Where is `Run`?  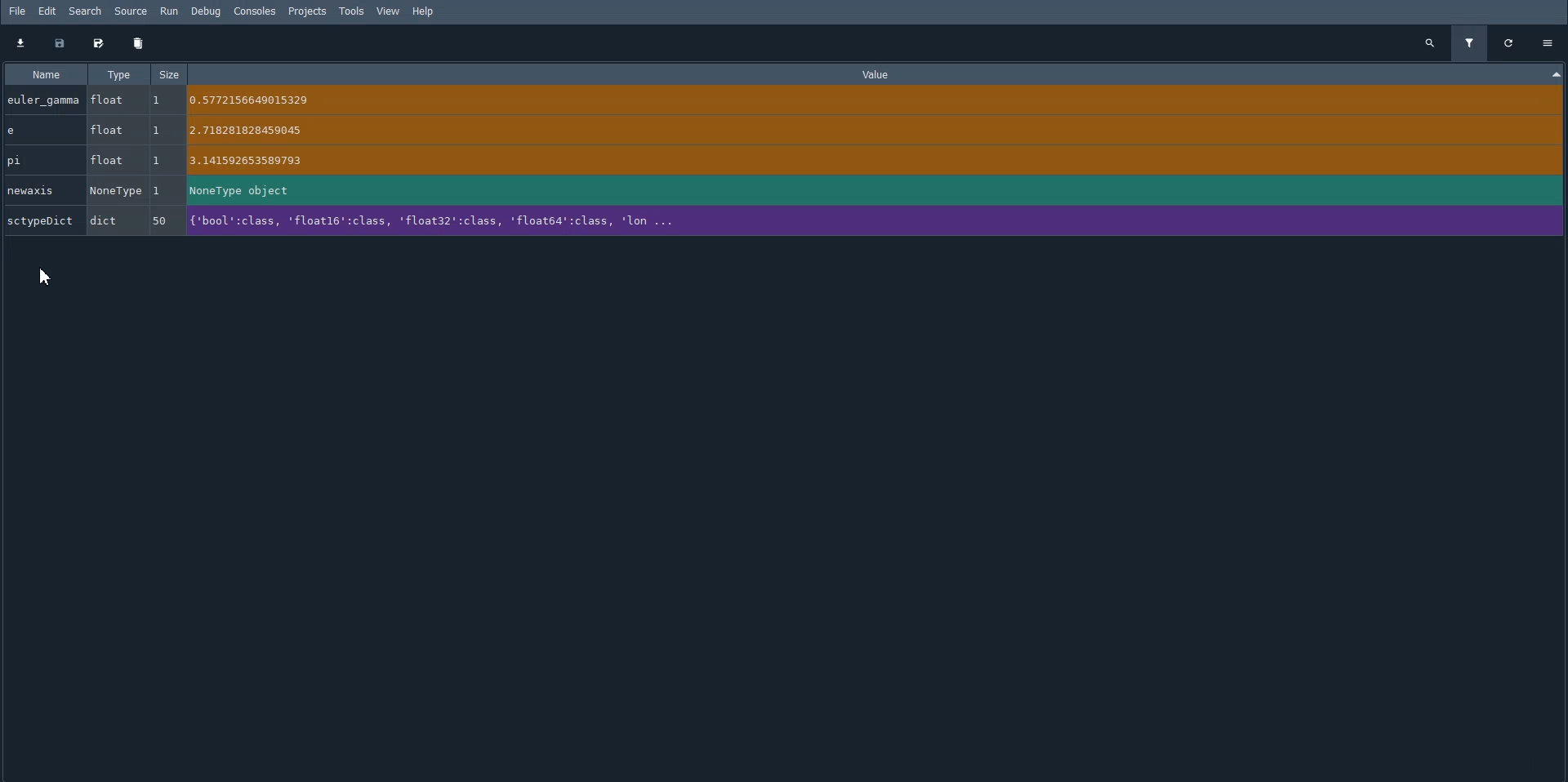
Run is located at coordinates (170, 11).